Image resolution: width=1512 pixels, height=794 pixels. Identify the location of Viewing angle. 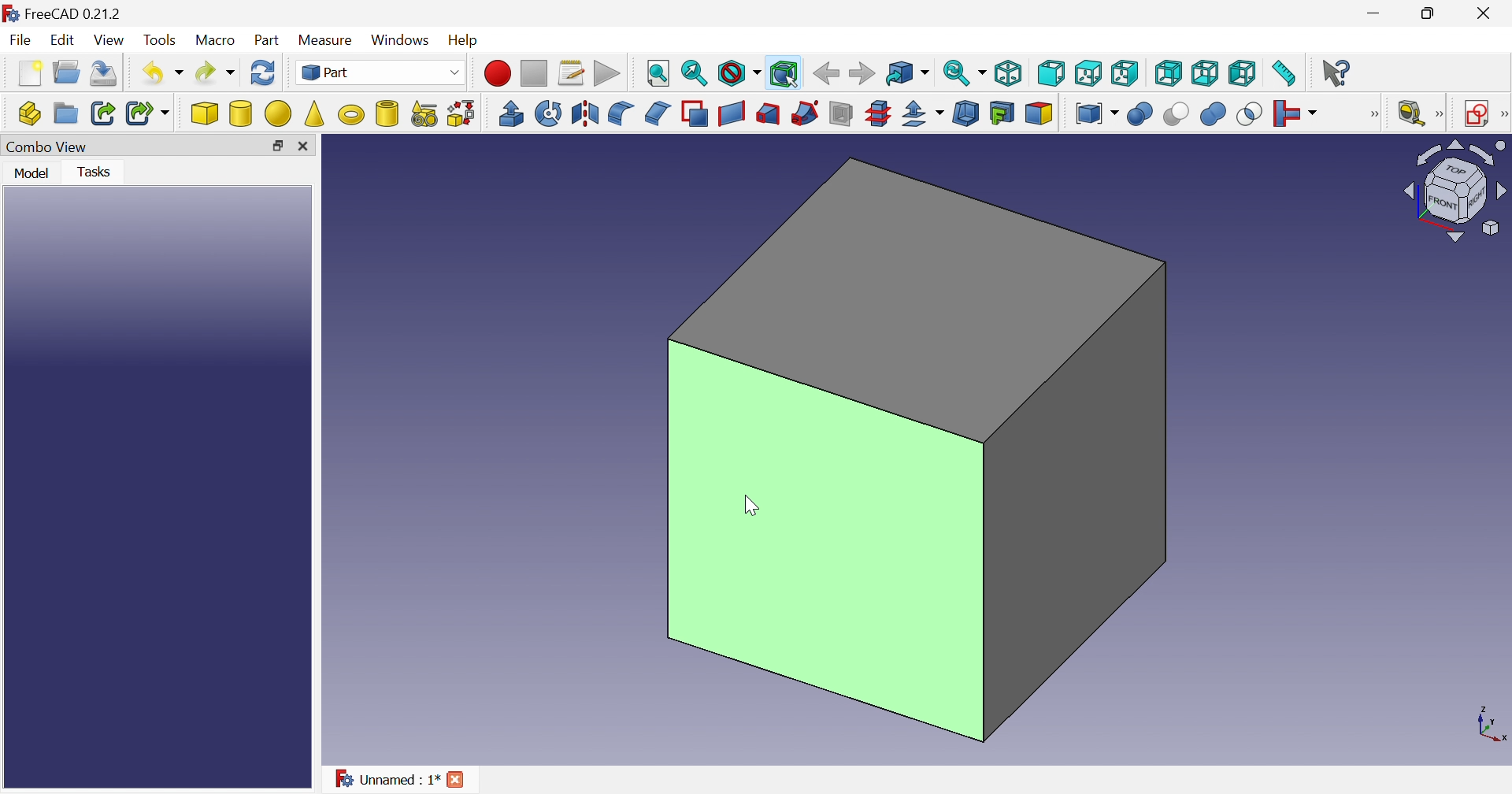
(1455, 191).